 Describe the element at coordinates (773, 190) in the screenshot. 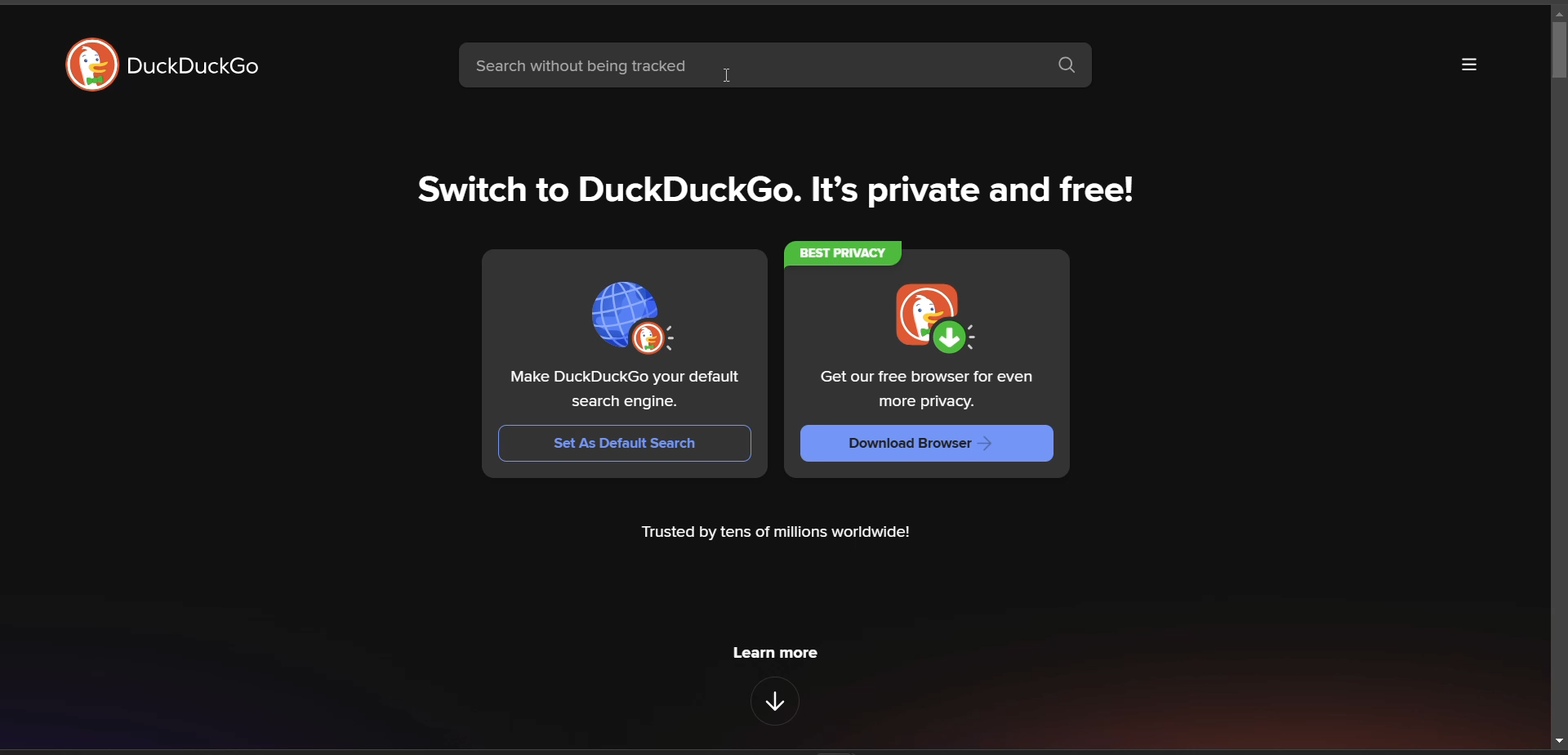

I see `Switch to DuckDuckGo. It’s private and free!` at that location.